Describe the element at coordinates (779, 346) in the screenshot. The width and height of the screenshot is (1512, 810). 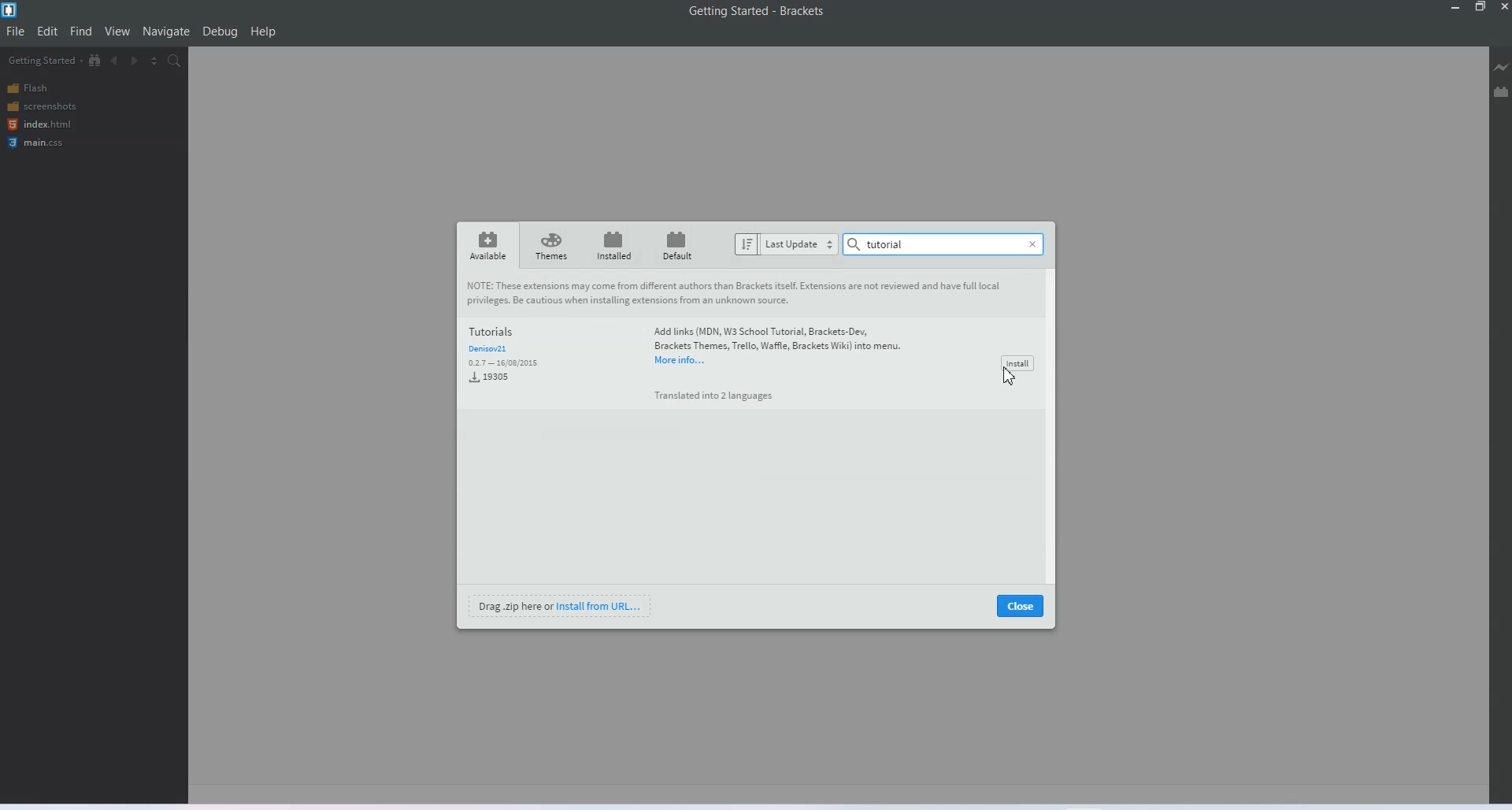
I see `‘Add links (MDN, W3 School Tutorial, Brackets-Dev,
Brackets Themes, Trello, Waffle, Brackets Wiki) into menu.` at that location.